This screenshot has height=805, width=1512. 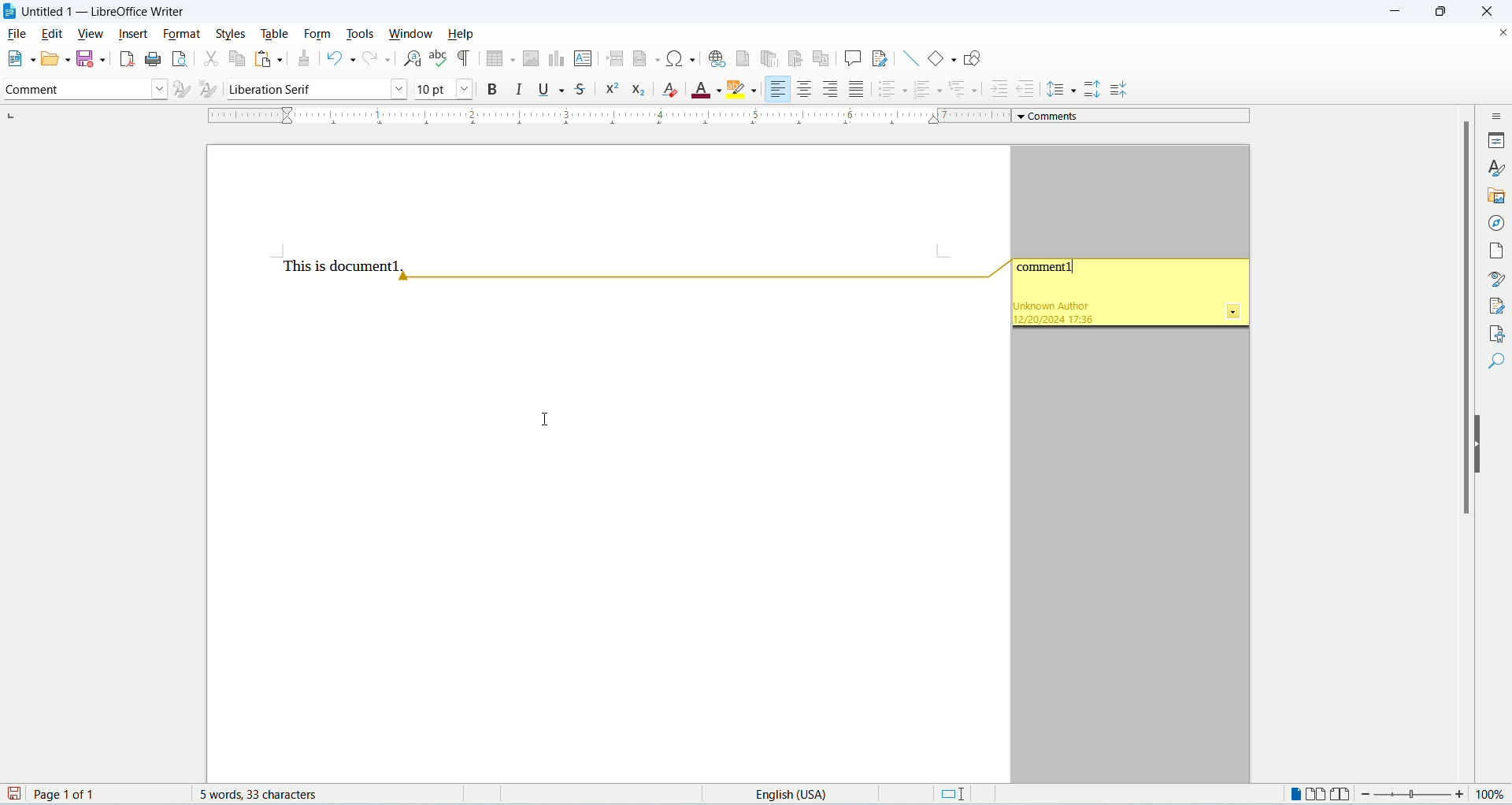 What do you see at coordinates (857, 90) in the screenshot?
I see `justified` at bounding box center [857, 90].